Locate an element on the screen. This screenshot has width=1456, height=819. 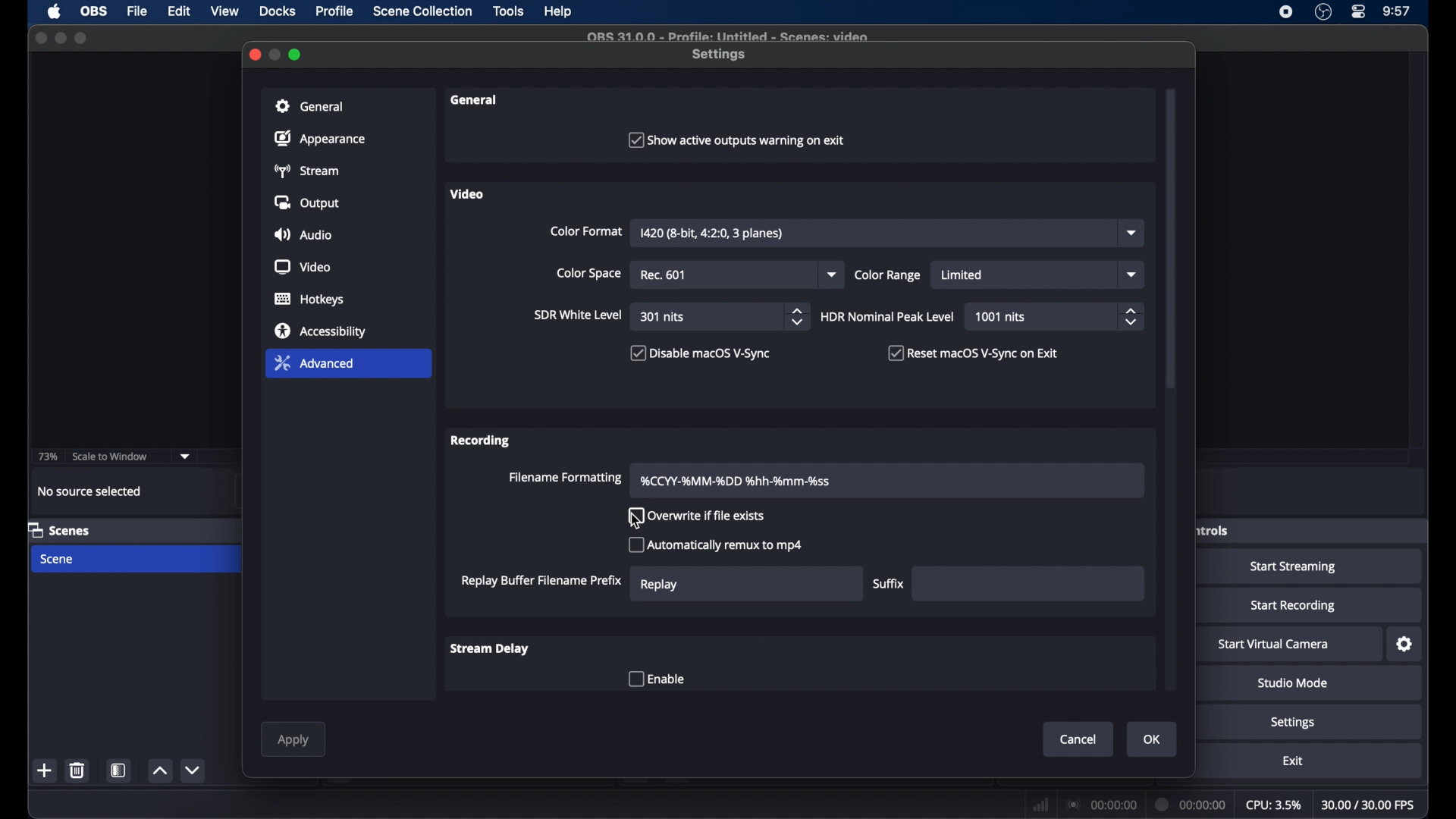
stepper buttons is located at coordinates (796, 316).